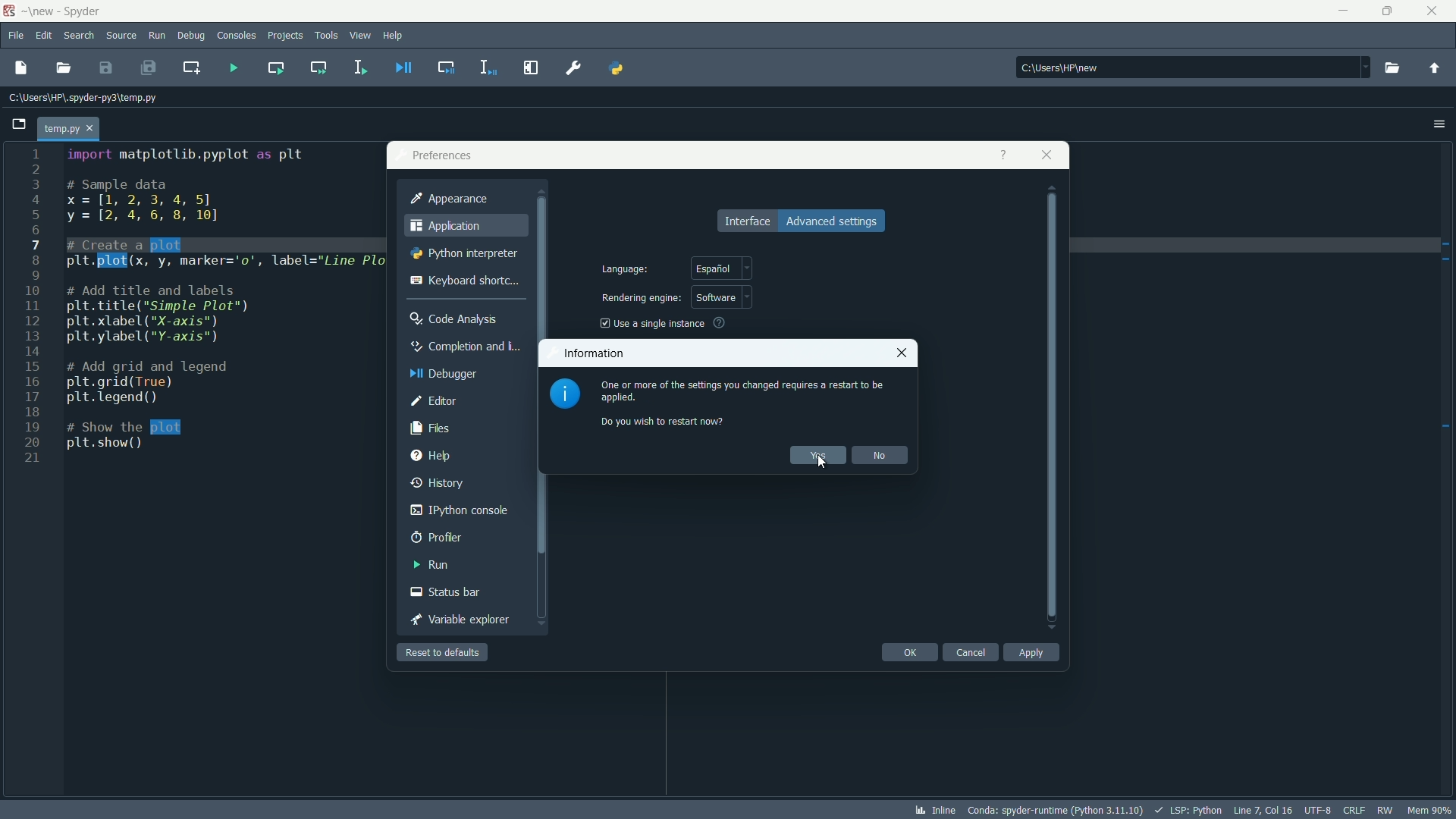 The width and height of the screenshot is (1456, 819). What do you see at coordinates (745, 221) in the screenshot?
I see `interface` at bounding box center [745, 221].